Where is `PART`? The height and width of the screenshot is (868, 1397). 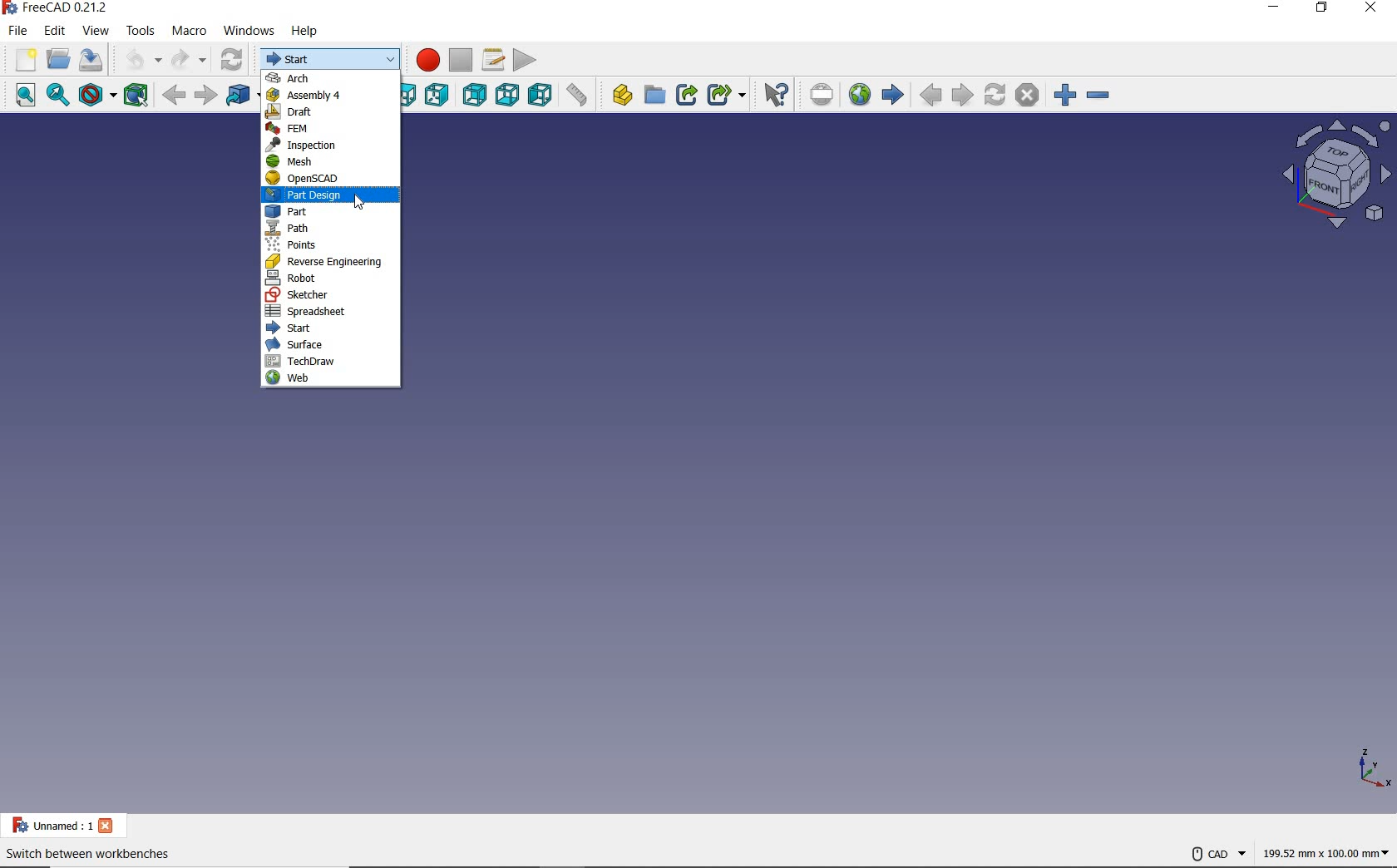
PART is located at coordinates (328, 212).